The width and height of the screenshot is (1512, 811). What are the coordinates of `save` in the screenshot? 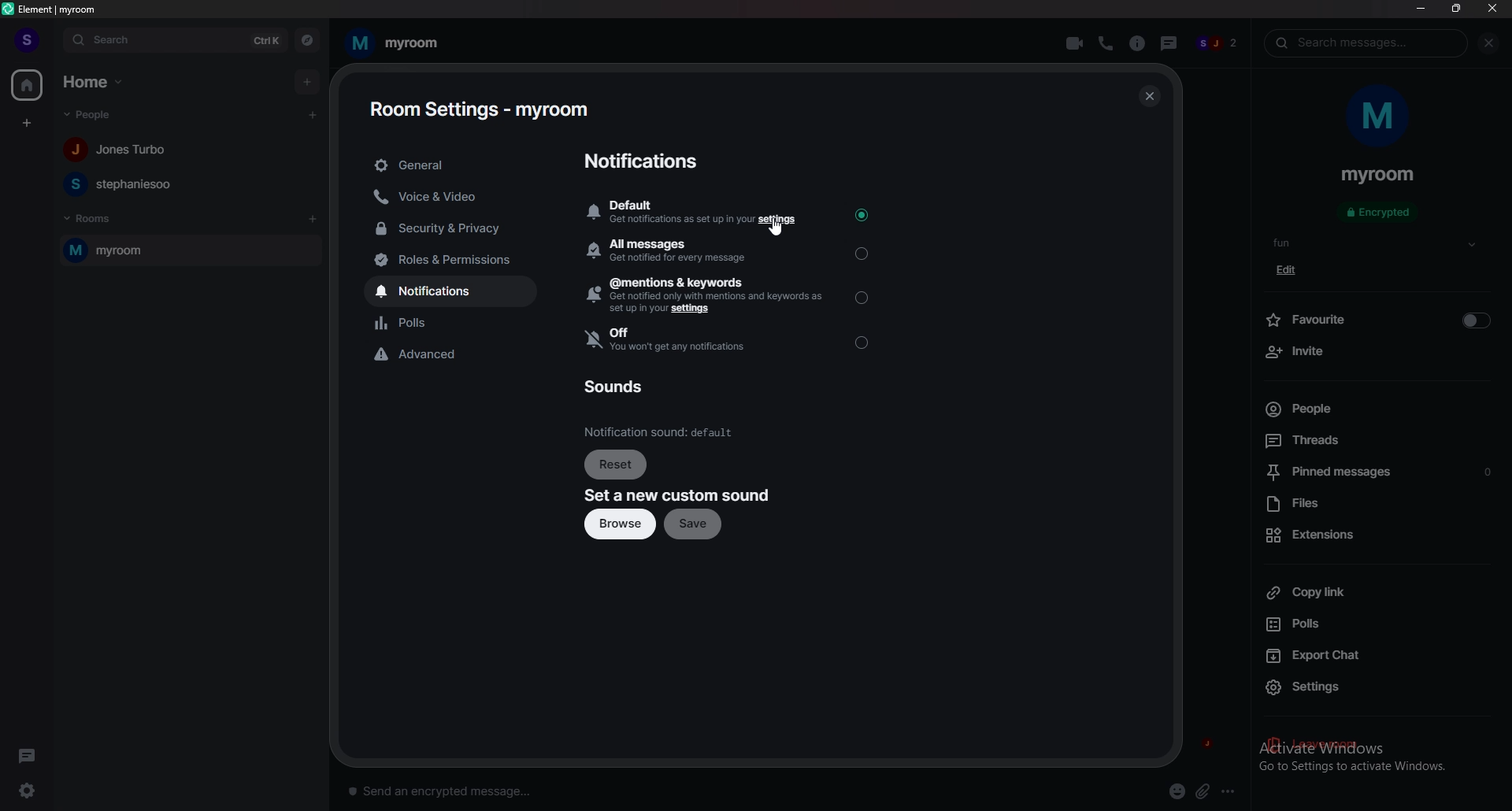 It's located at (697, 525).